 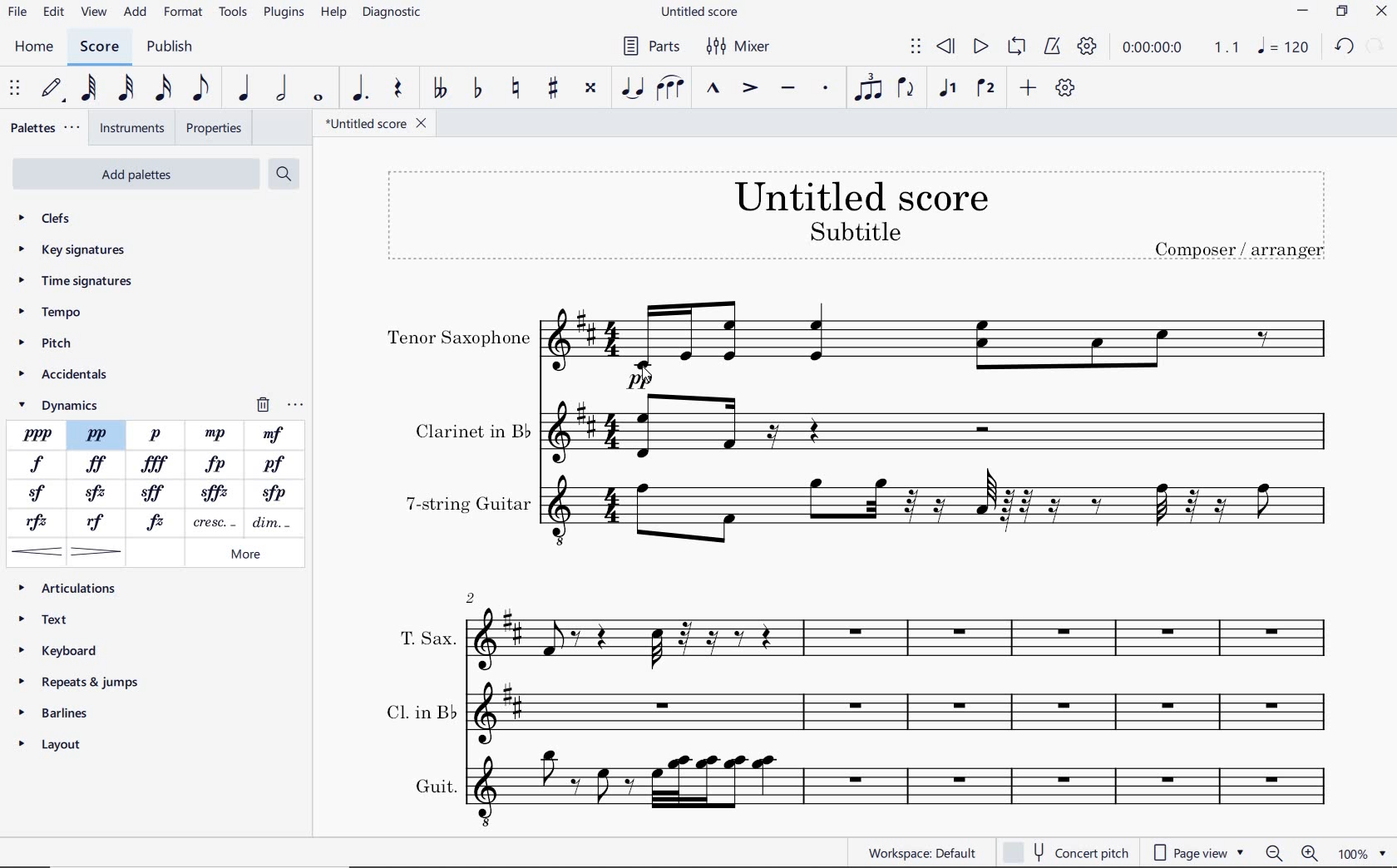 I want to click on plugins, so click(x=285, y=13).